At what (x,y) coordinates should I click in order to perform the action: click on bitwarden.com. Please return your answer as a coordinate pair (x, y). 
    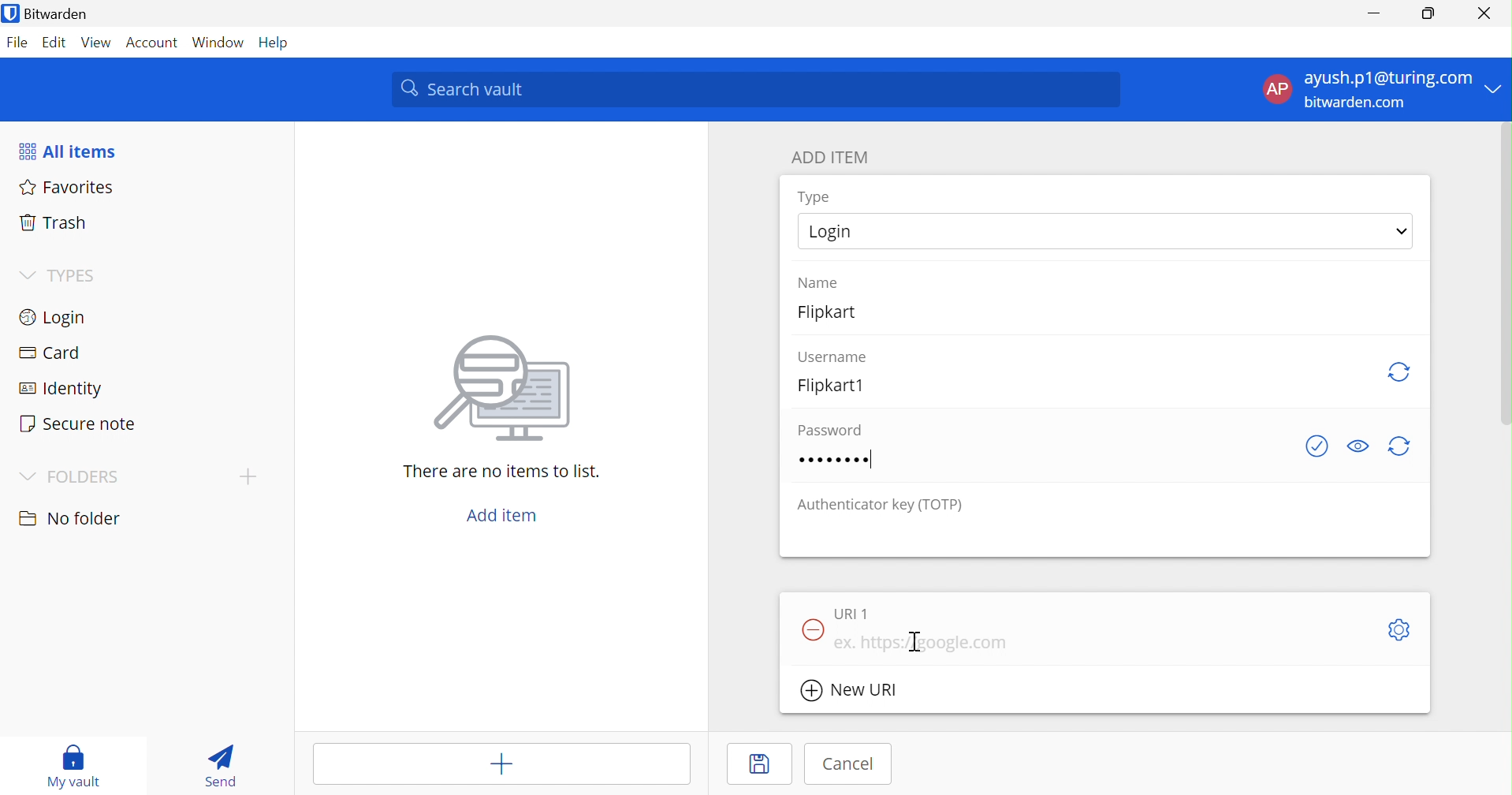
    Looking at the image, I should click on (1362, 104).